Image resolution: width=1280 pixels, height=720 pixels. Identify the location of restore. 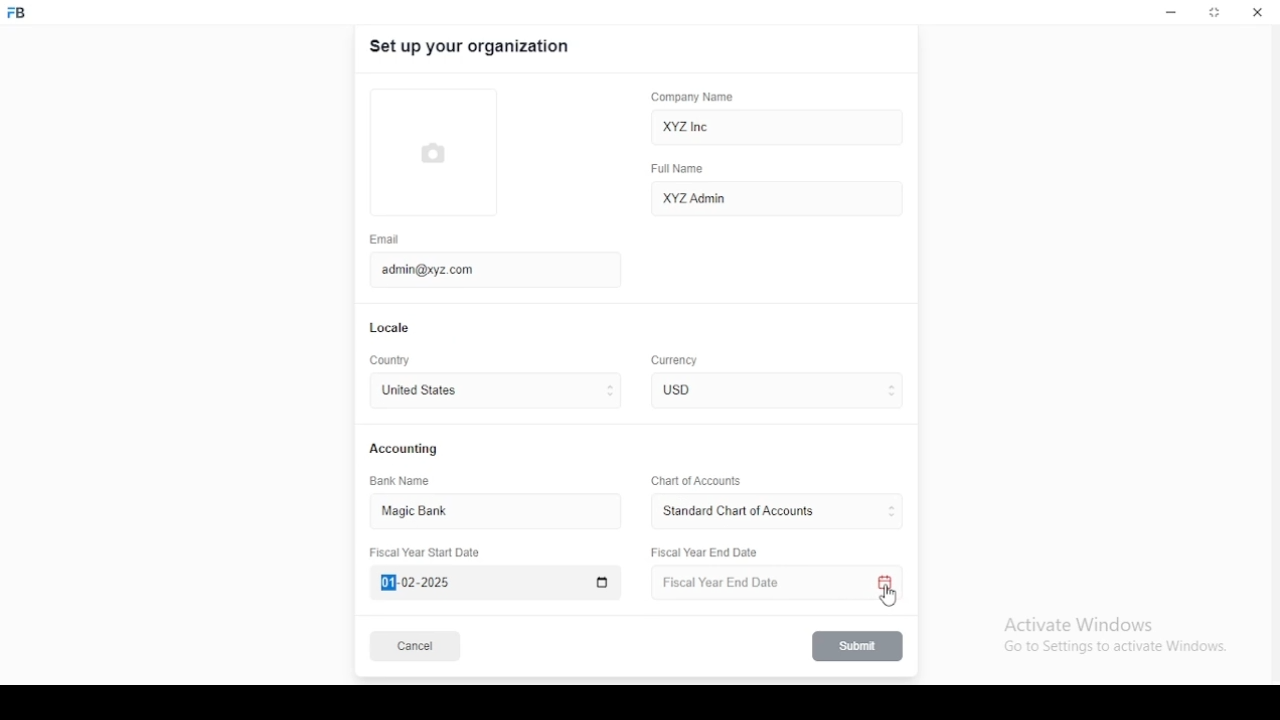
(1216, 14).